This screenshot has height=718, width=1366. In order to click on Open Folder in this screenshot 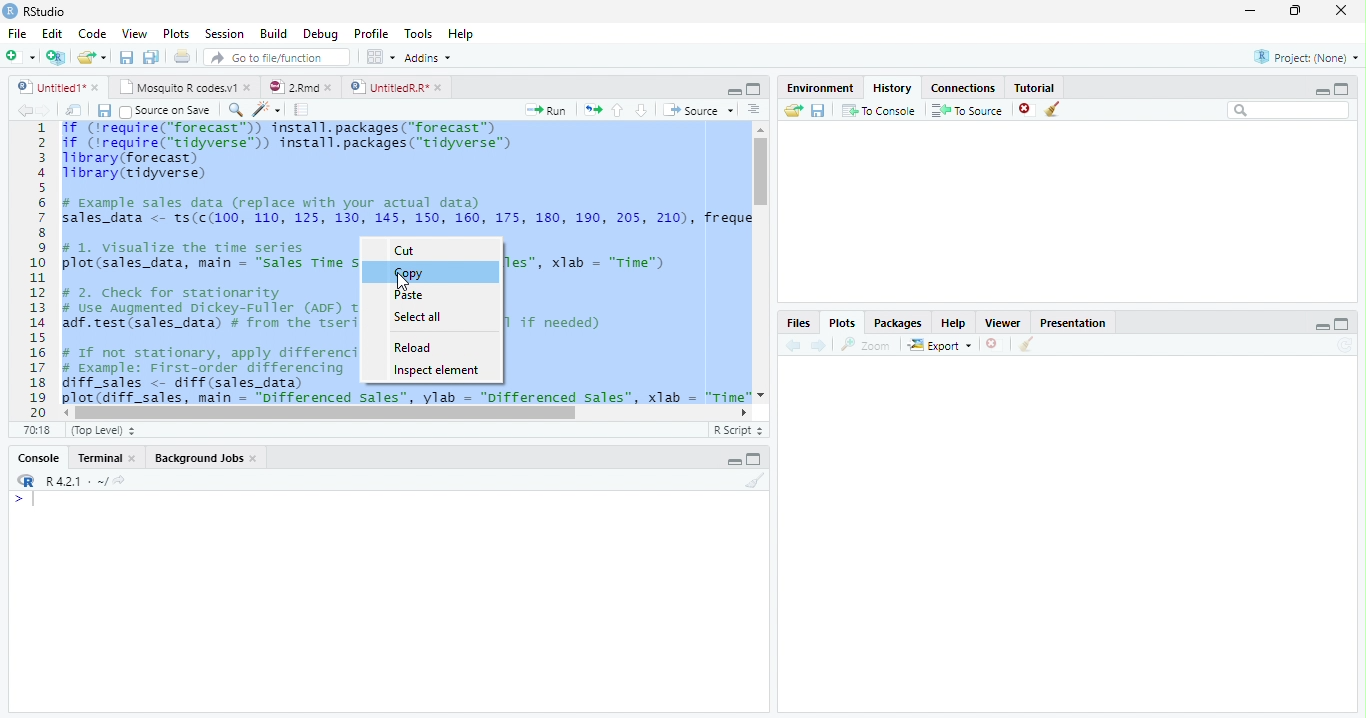, I will do `click(793, 111)`.